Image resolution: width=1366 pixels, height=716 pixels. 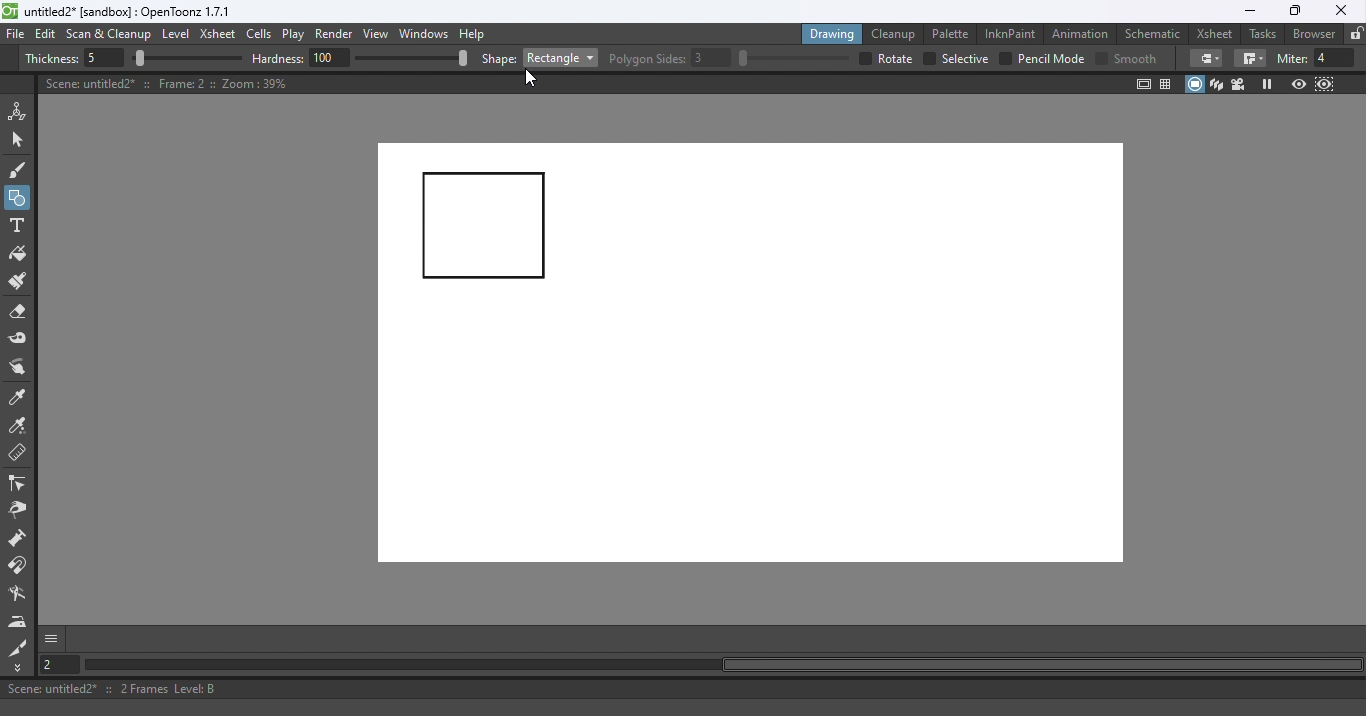 I want to click on Type tool, so click(x=17, y=227).